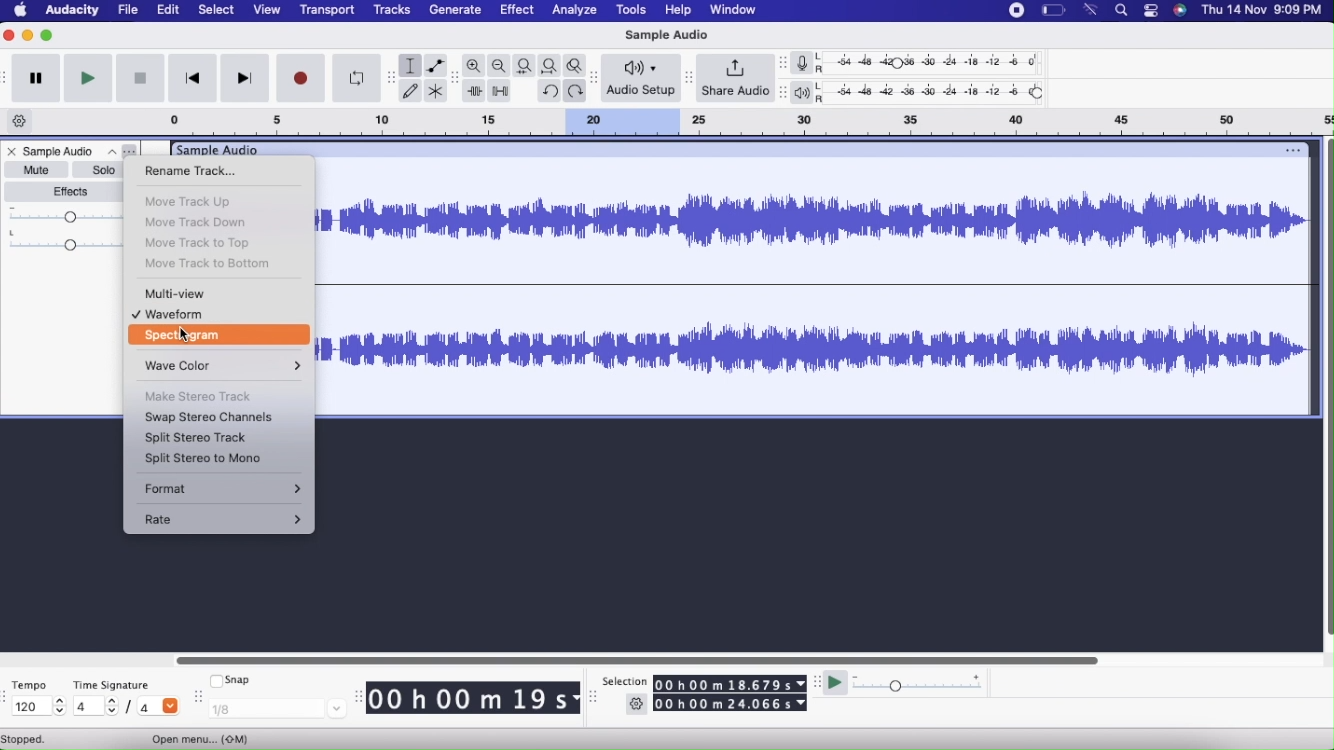 The width and height of the screenshot is (1334, 750). What do you see at coordinates (687, 79) in the screenshot?
I see `move toolbar` at bounding box center [687, 79].